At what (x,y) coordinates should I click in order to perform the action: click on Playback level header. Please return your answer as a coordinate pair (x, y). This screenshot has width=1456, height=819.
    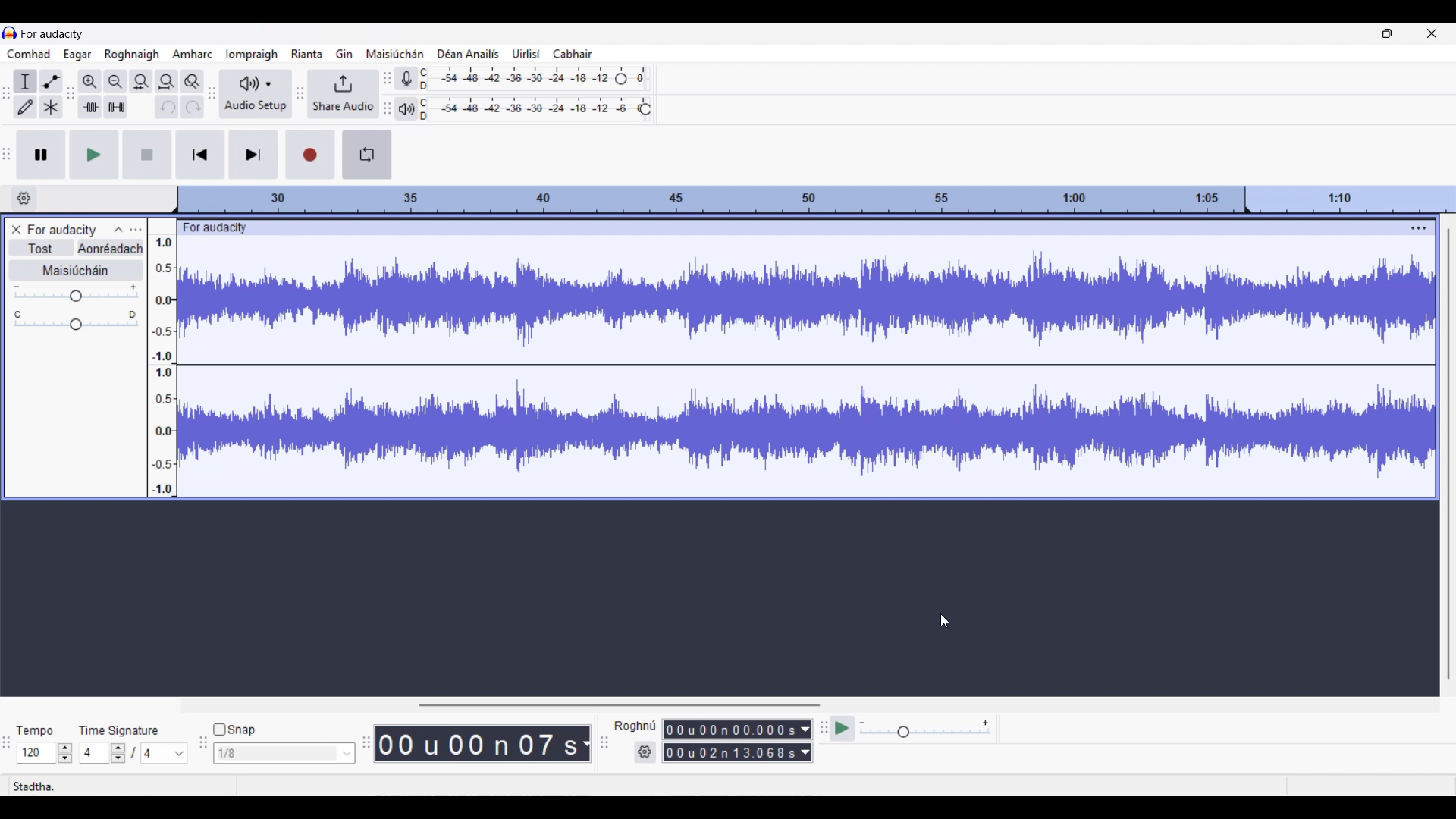
    Looking at the image, I should click on (645, 109).